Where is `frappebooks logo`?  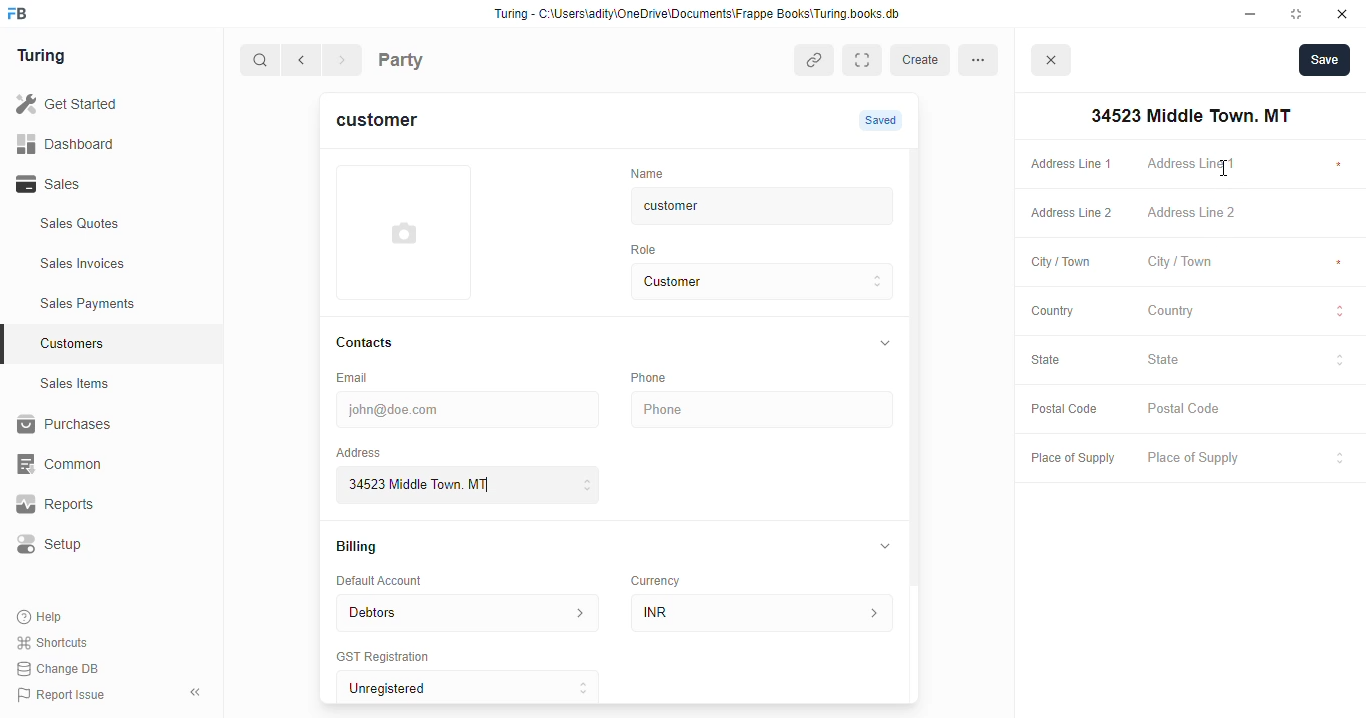 frappebooks logo is located at coordinates (23, 15).